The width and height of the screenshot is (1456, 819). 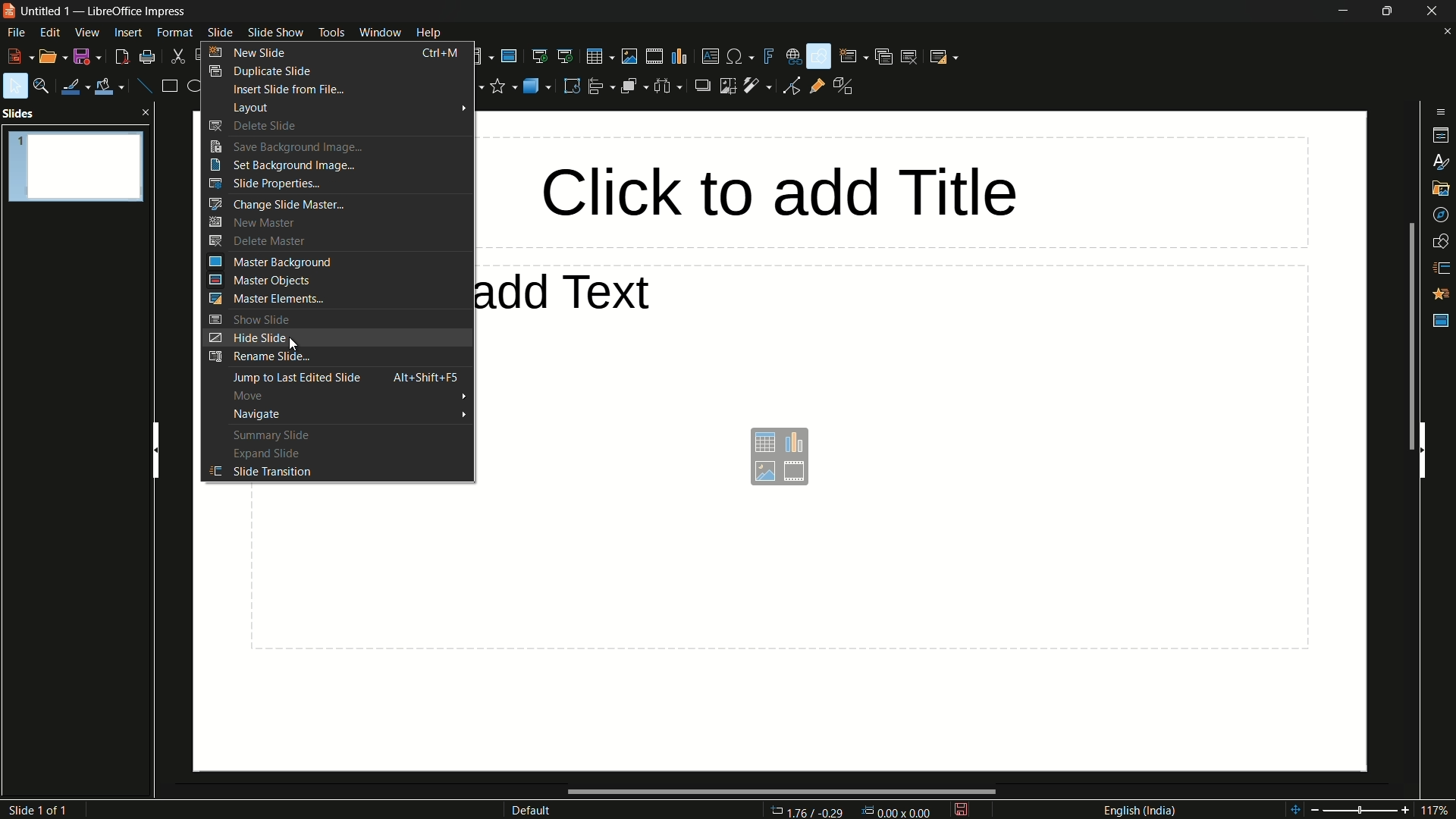 I want to click on adjustment bar, so click(x=1361, y=812).